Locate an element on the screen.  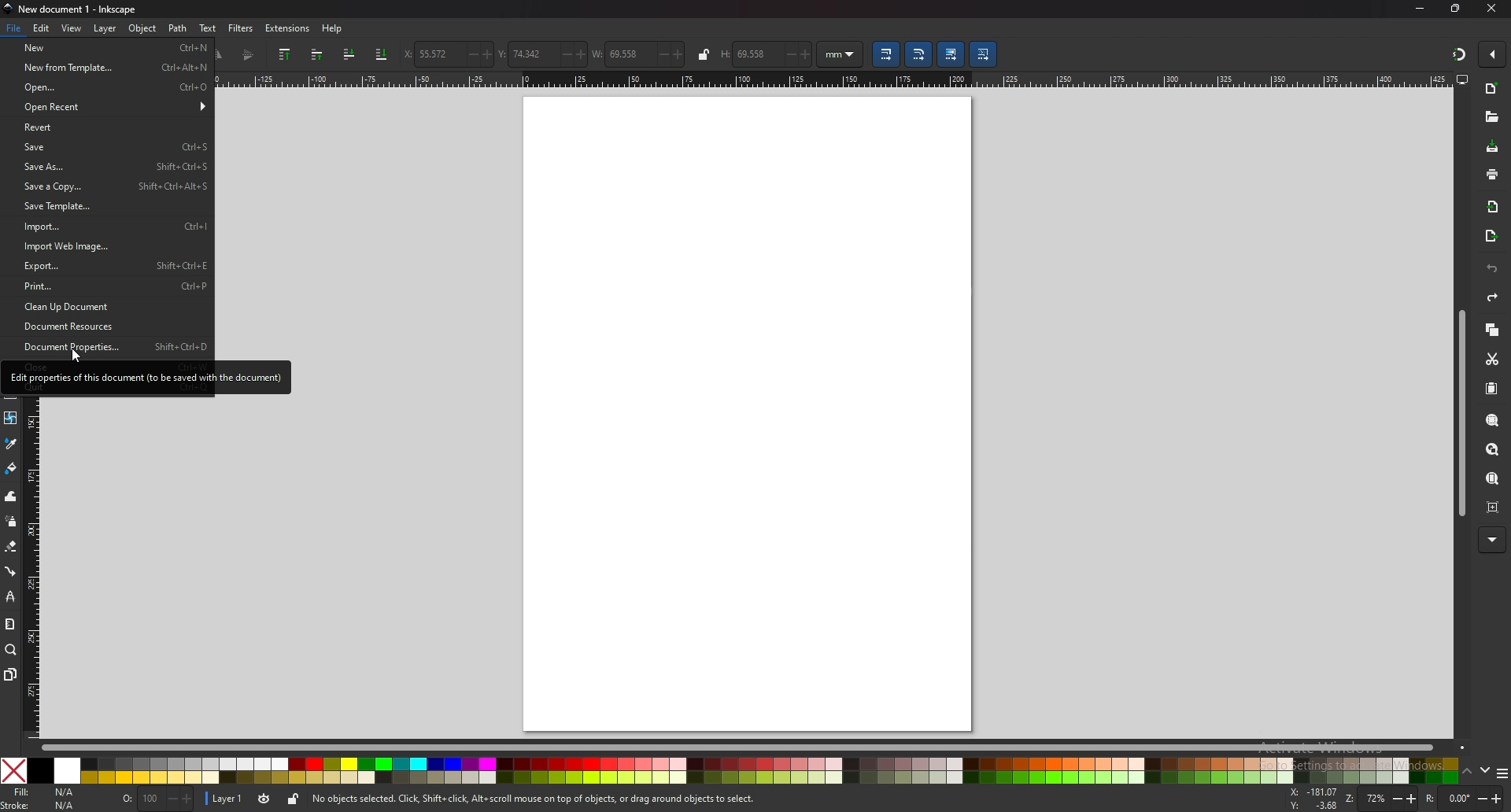
cursor coordinates x-axis is located at coordinates (1313, 793).